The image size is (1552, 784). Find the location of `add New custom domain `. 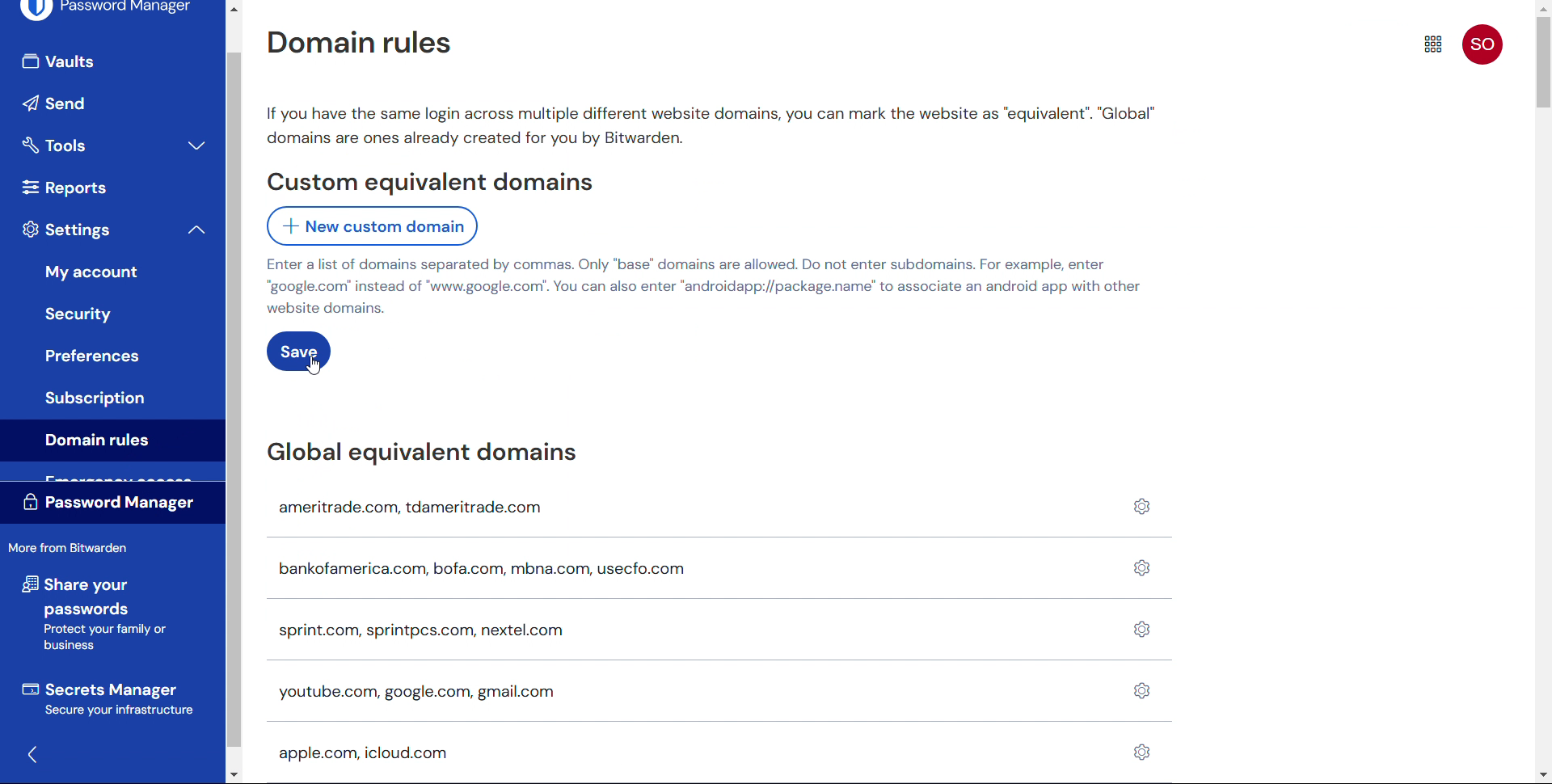

add New custom domain  is located at coordinates (371, 226).